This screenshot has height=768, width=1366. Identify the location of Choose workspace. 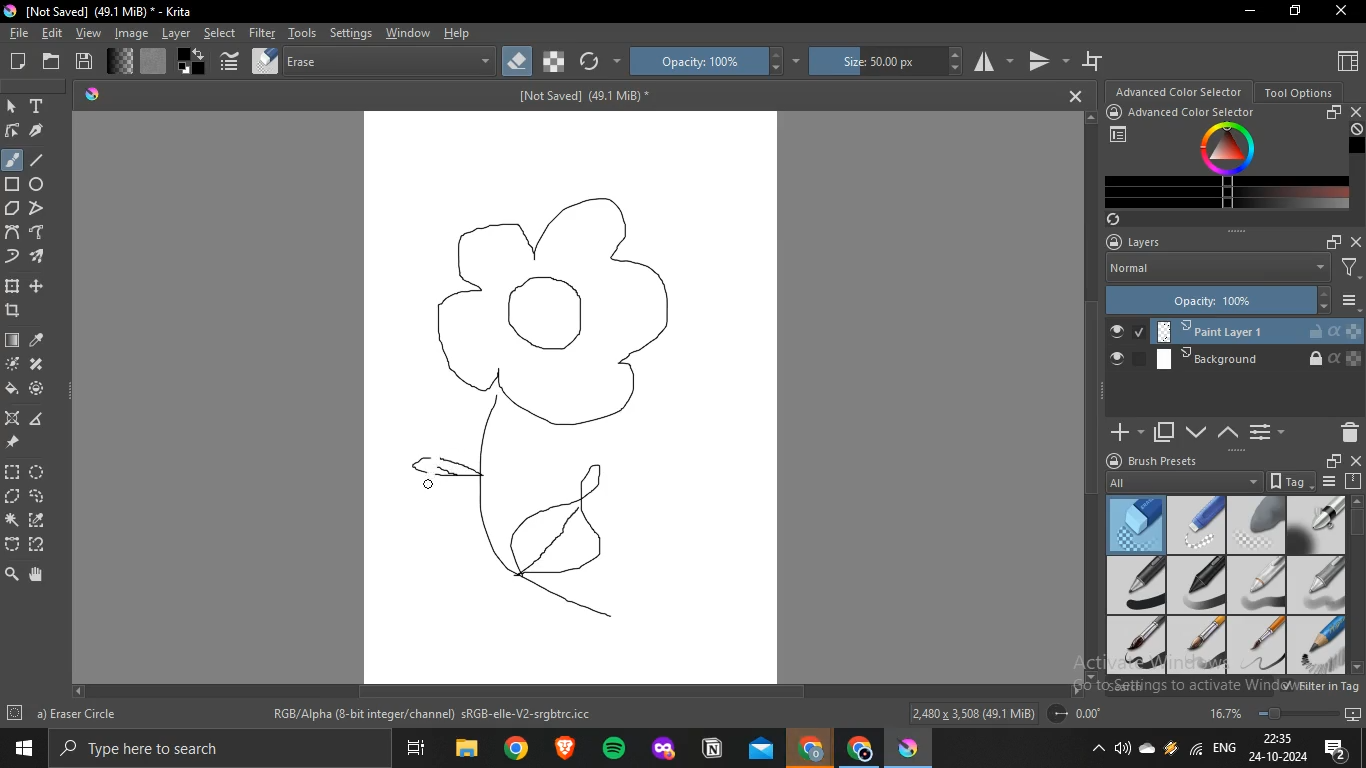
(1346, 60).